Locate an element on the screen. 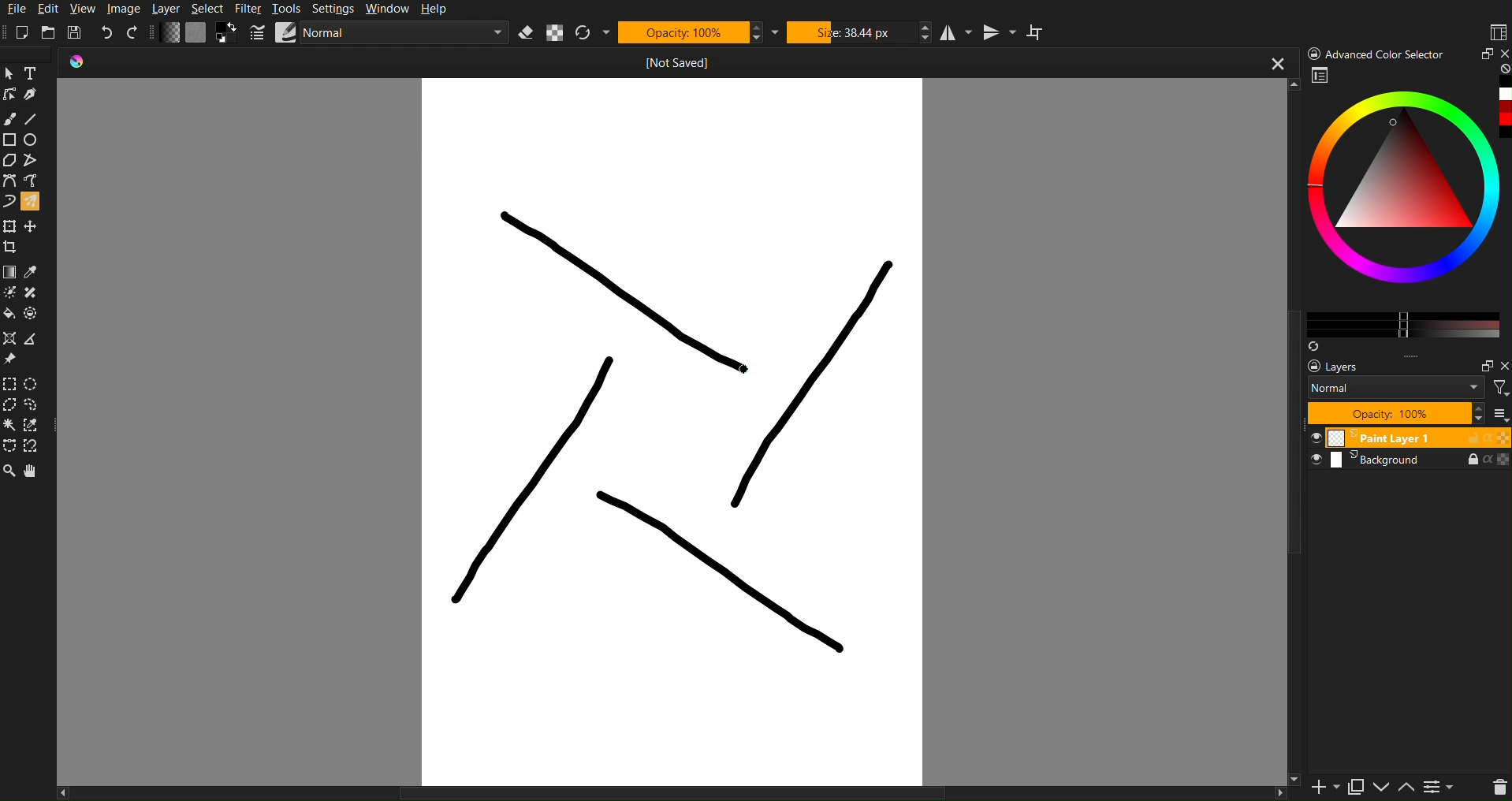 Image resolution: width=1512 pixels, height=801 pixels. down is located at coordinates (1380, 788).